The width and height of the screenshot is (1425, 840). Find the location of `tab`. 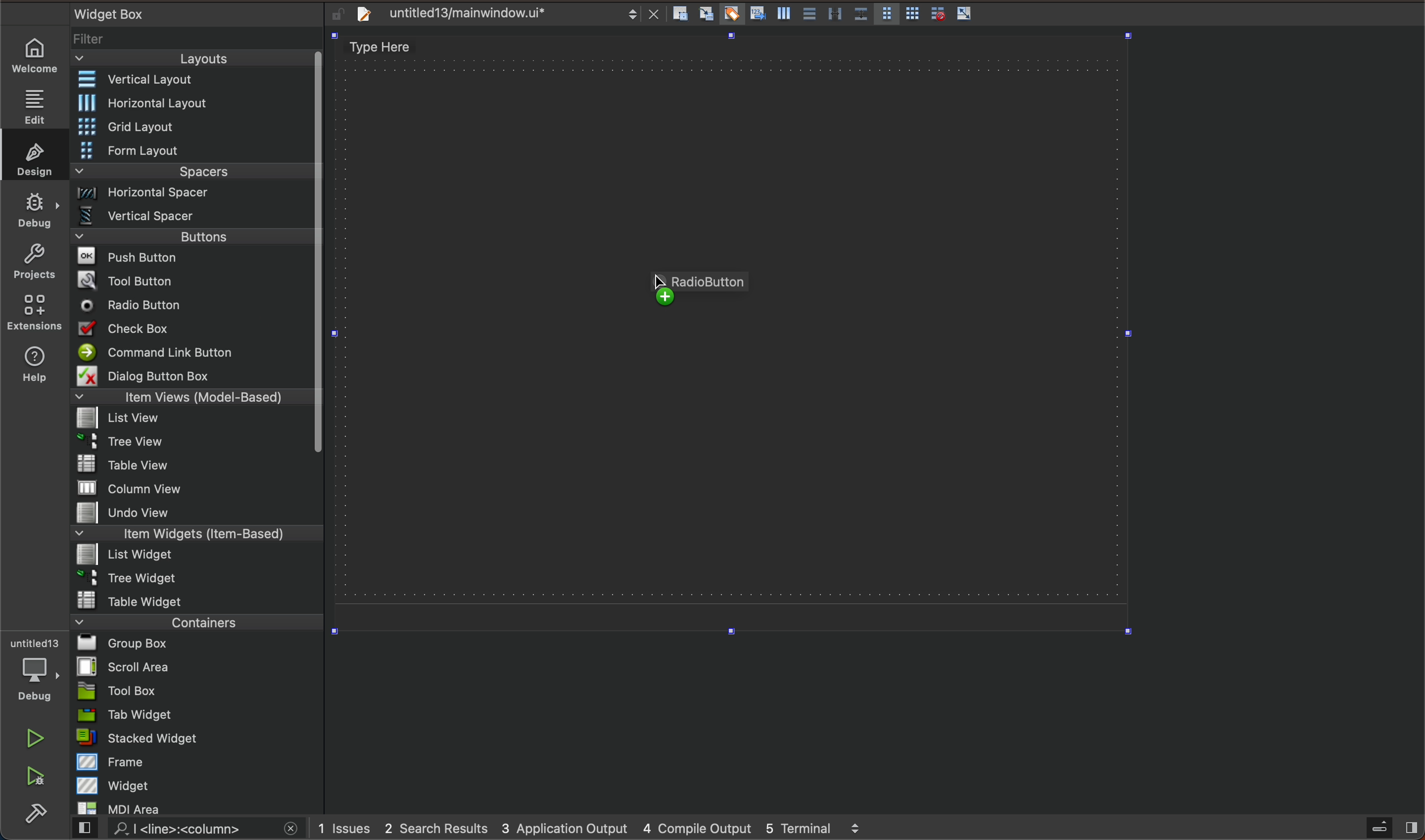

tab is located at coordinates (199, 714).